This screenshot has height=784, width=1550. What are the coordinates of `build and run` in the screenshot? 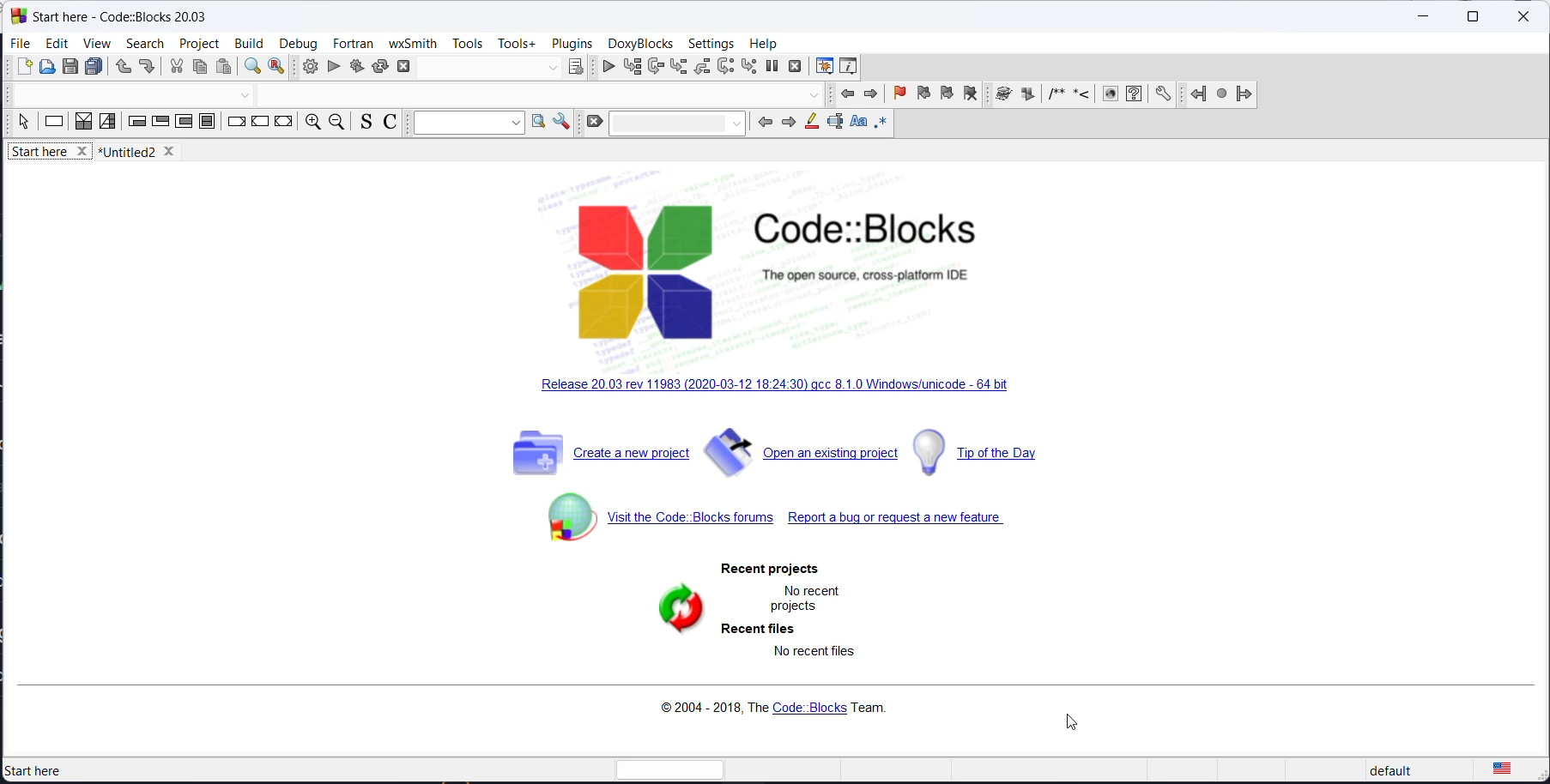 It's located at (356, 65).